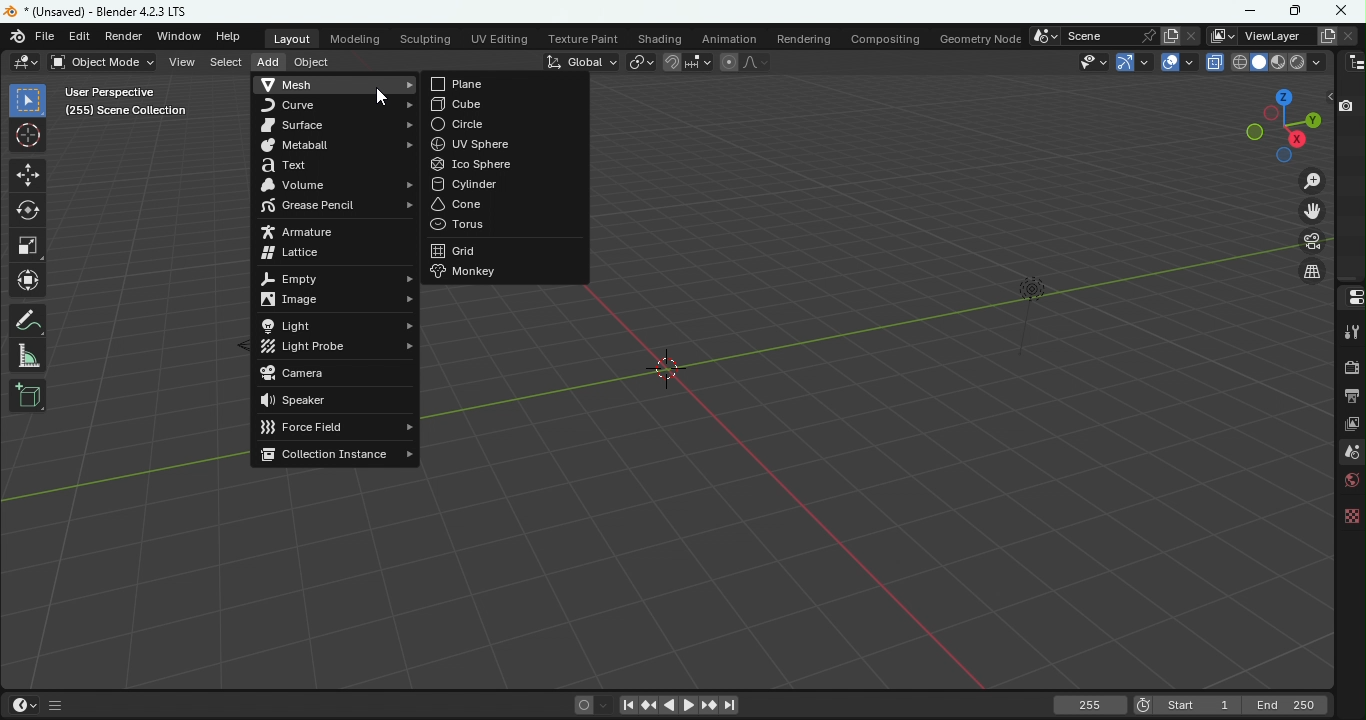  What do you see at coordinates (337, 184) in the screenshot?
I see `Volume` at bounding box center [337, 184].